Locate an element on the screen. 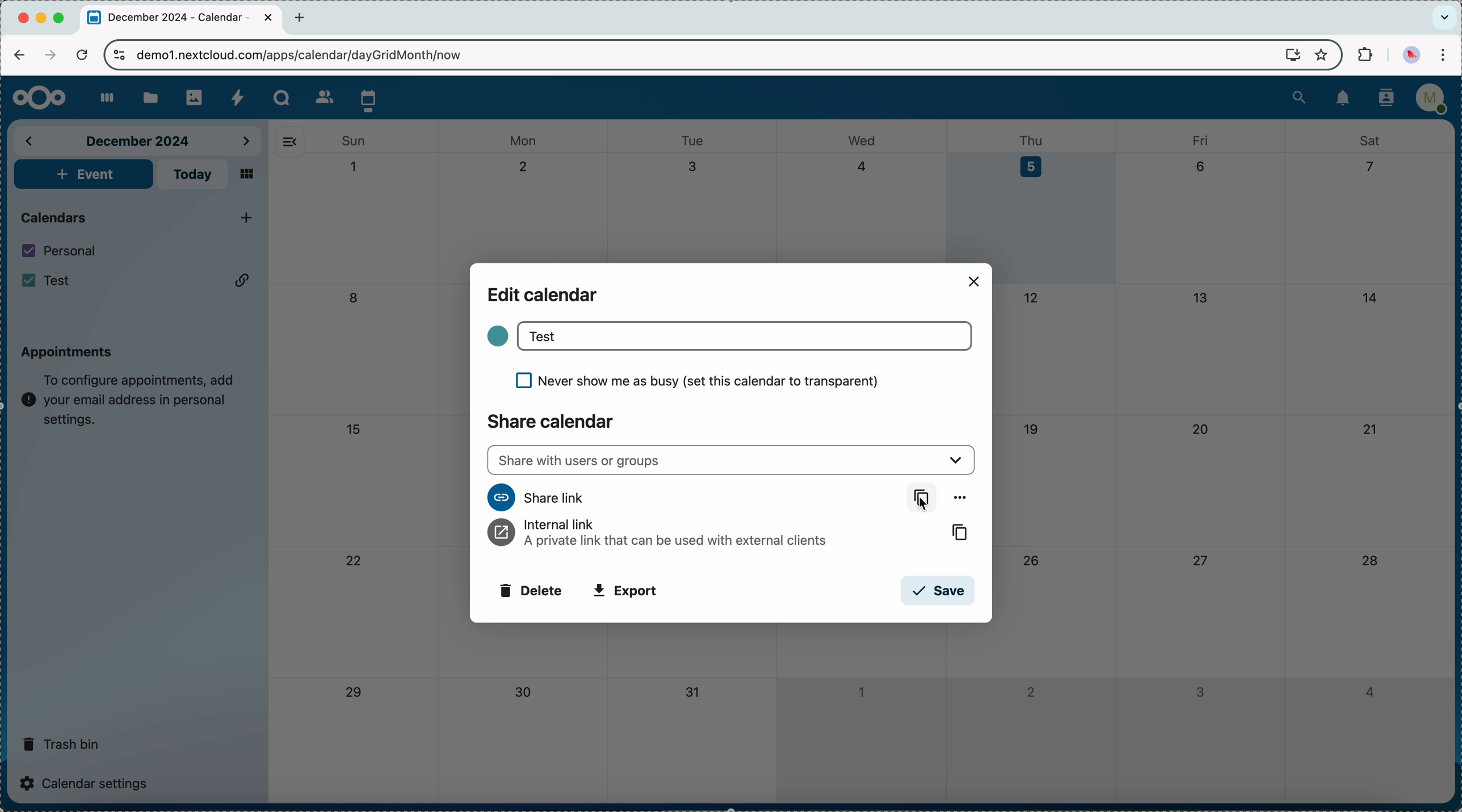 The width and height of the screenshot is (1462, 812). search tabs is located at coordinates (1444, 18).